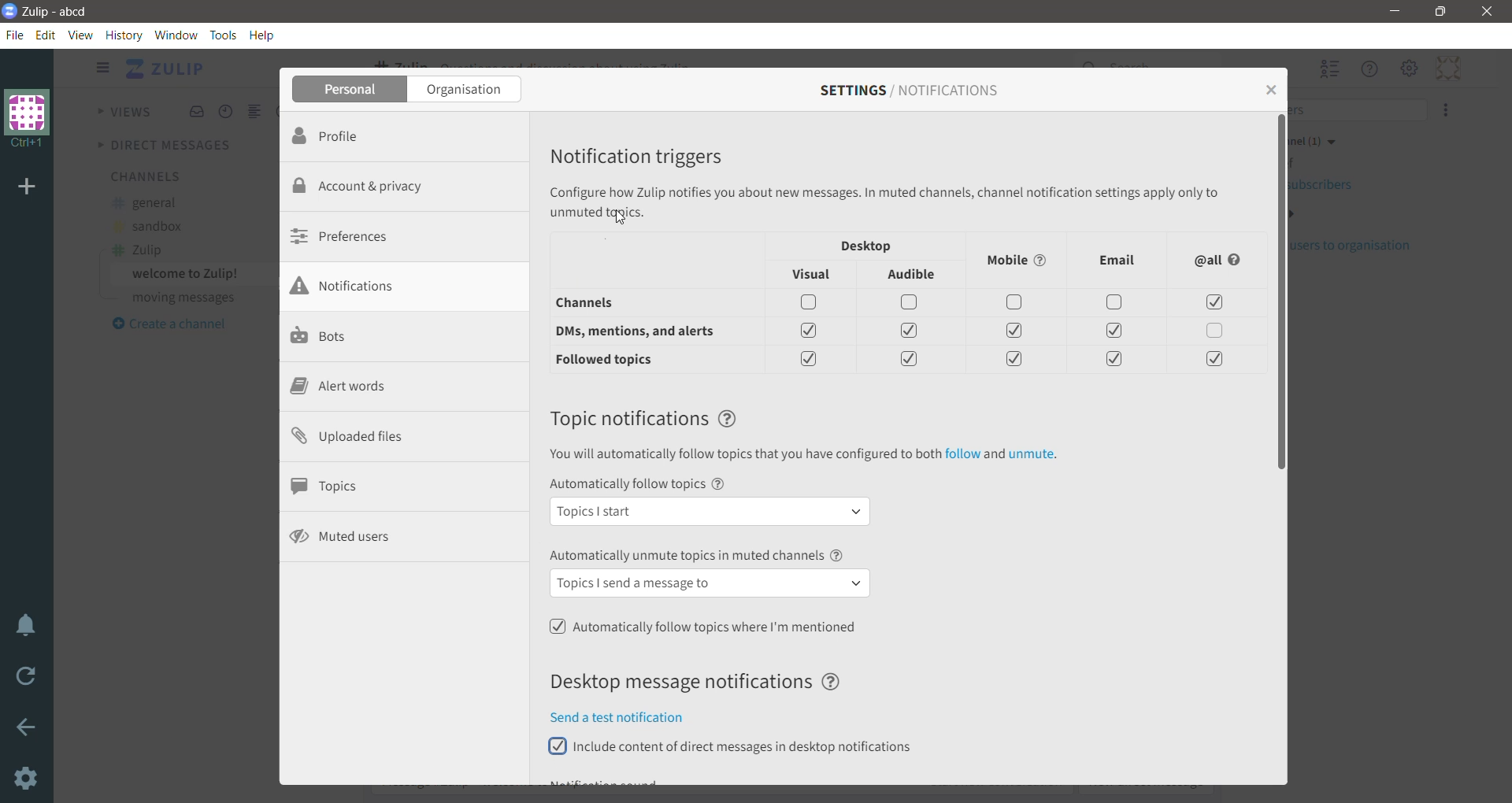  Describe the element at coordinates (606, 305) in the screenshot. I see `channels` at that location.